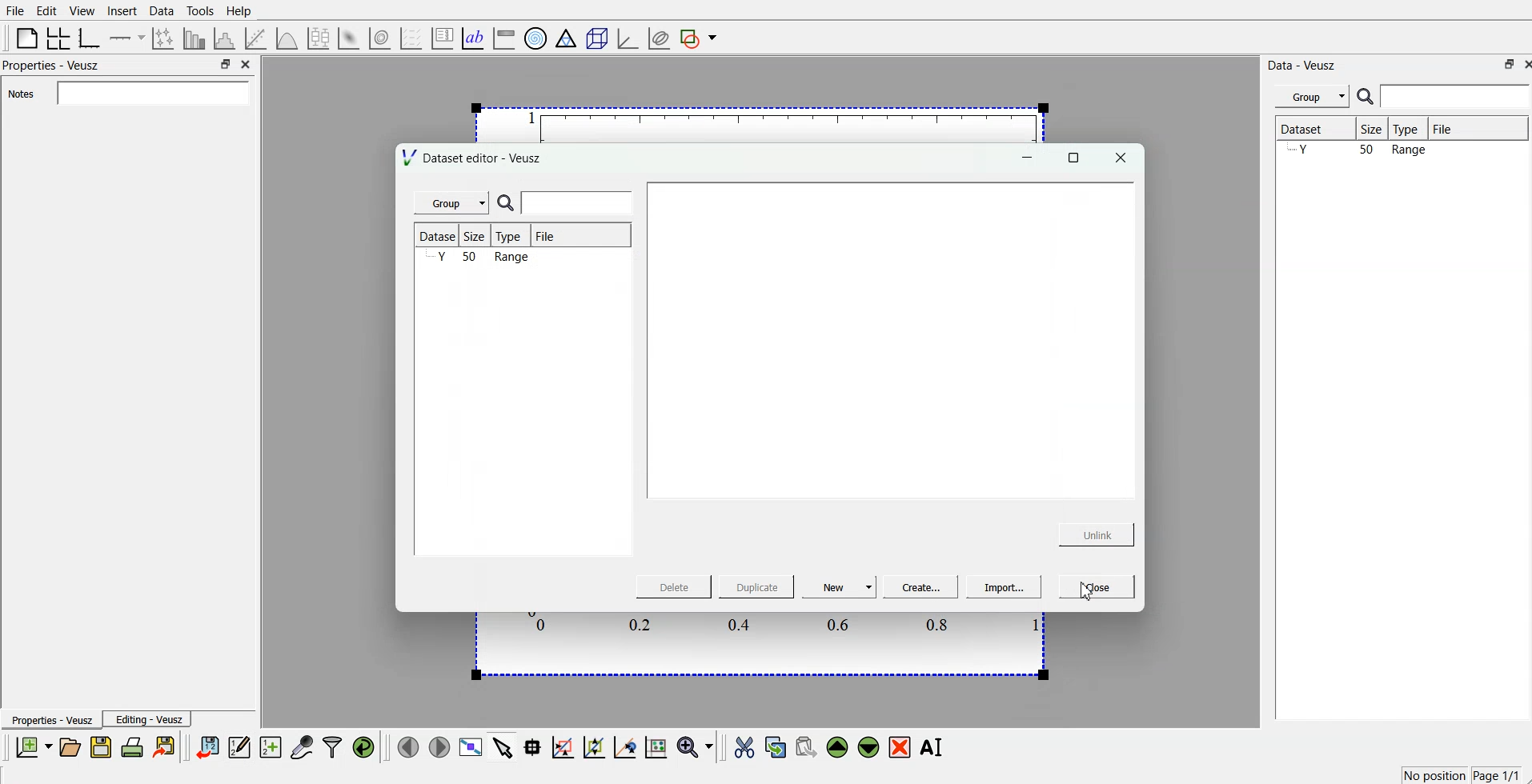 The width and height of the screenshot is (1532, 784). I want to click on Type, so click(513, 237).